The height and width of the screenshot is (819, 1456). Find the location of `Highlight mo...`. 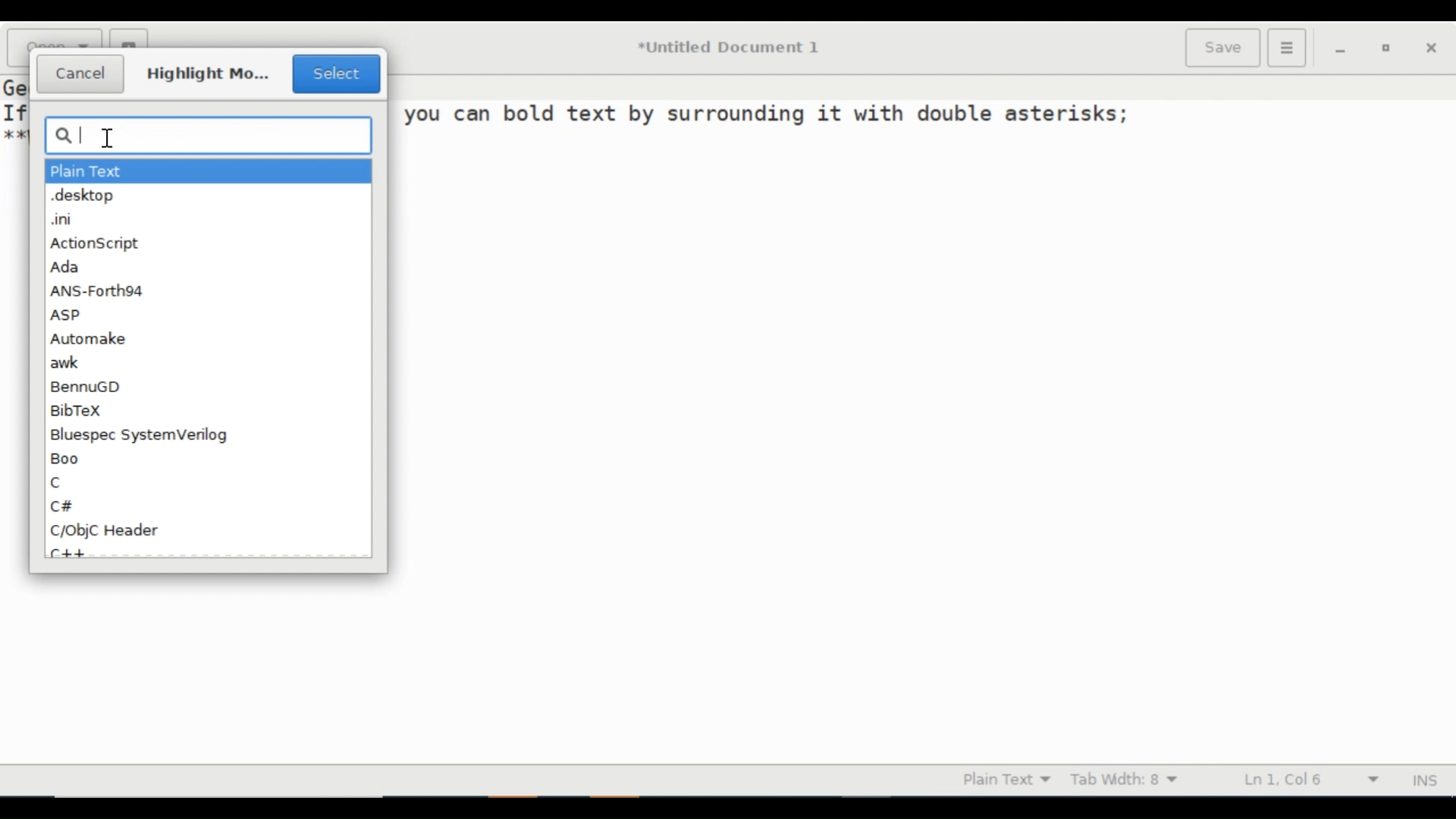

Highlight mo... is located at coordinates (209, 73).